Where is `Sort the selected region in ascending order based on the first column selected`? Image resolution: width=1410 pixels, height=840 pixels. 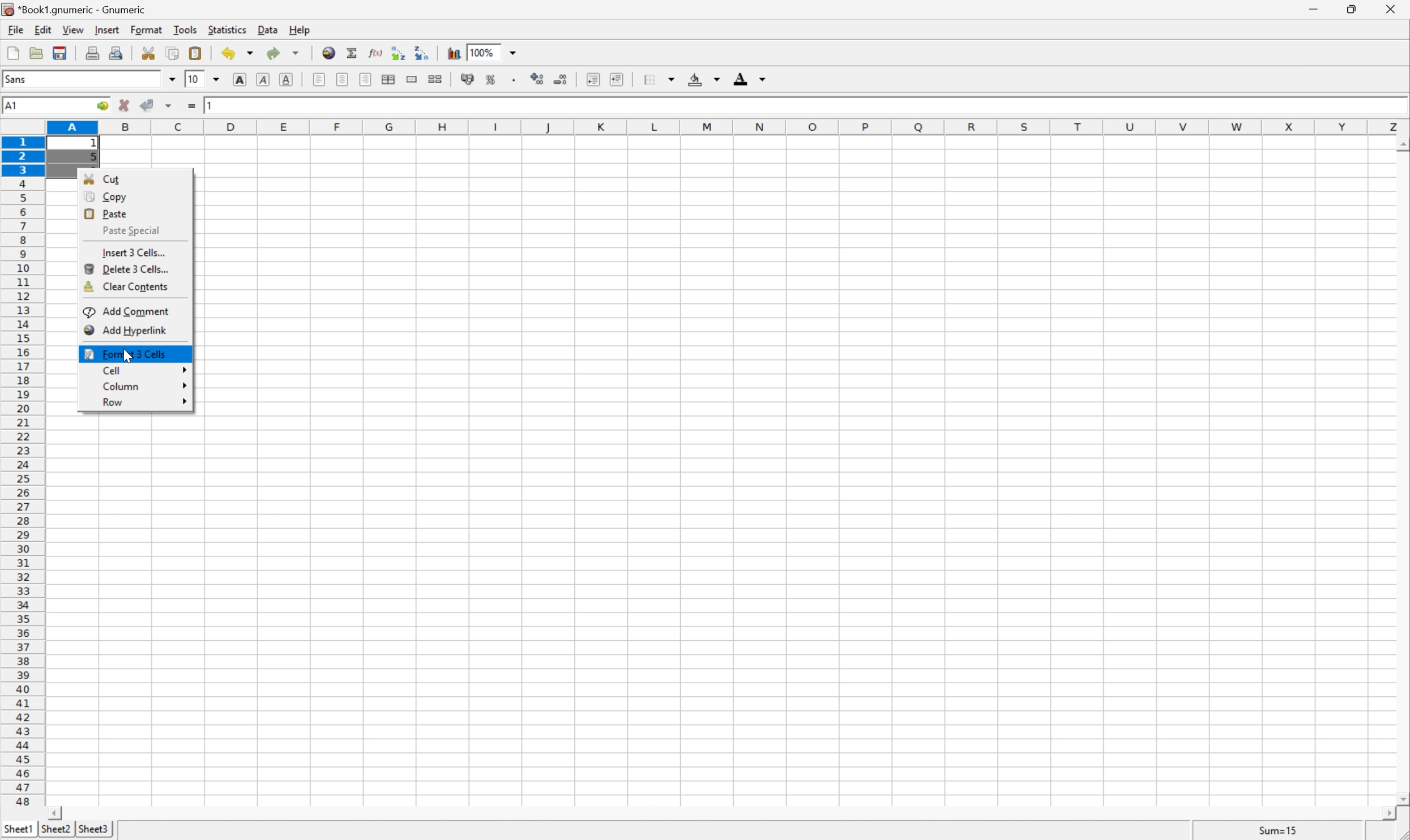
Sort the selected region in ascending order based on the first column selected is located at coordinates (399, 52).